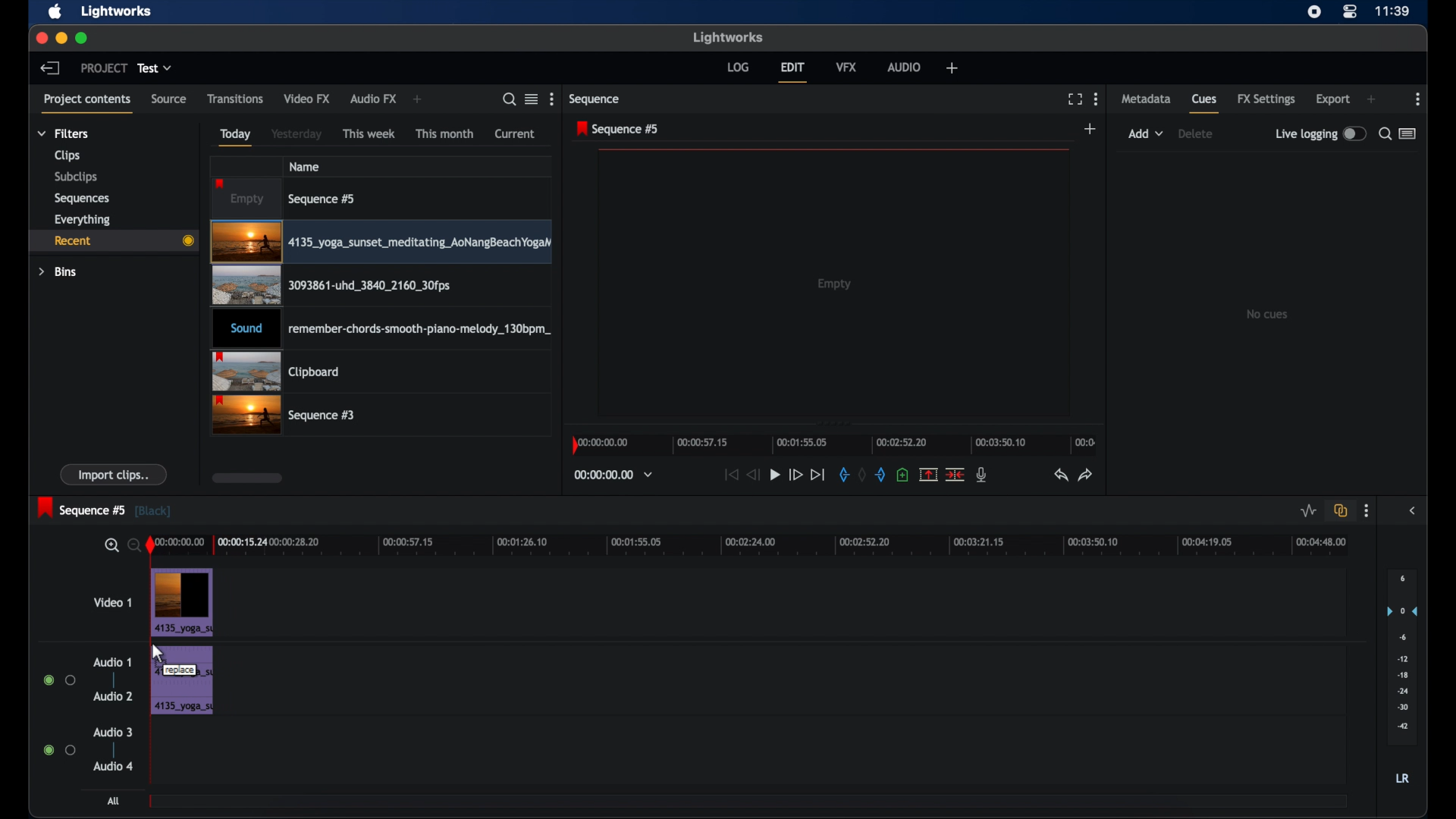  I want to click on vfx, so click(847, 68).